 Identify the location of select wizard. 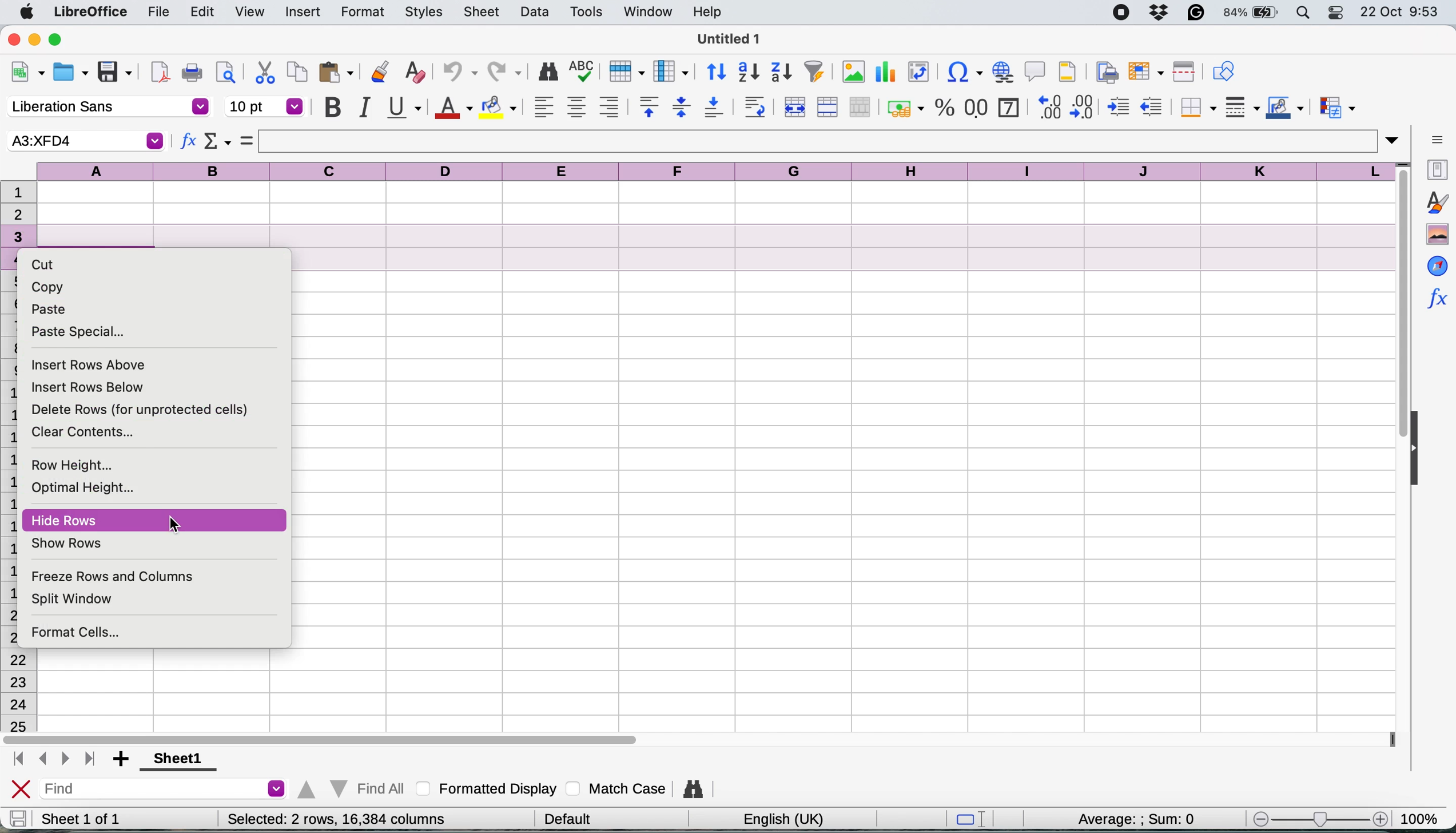
(218, 143).